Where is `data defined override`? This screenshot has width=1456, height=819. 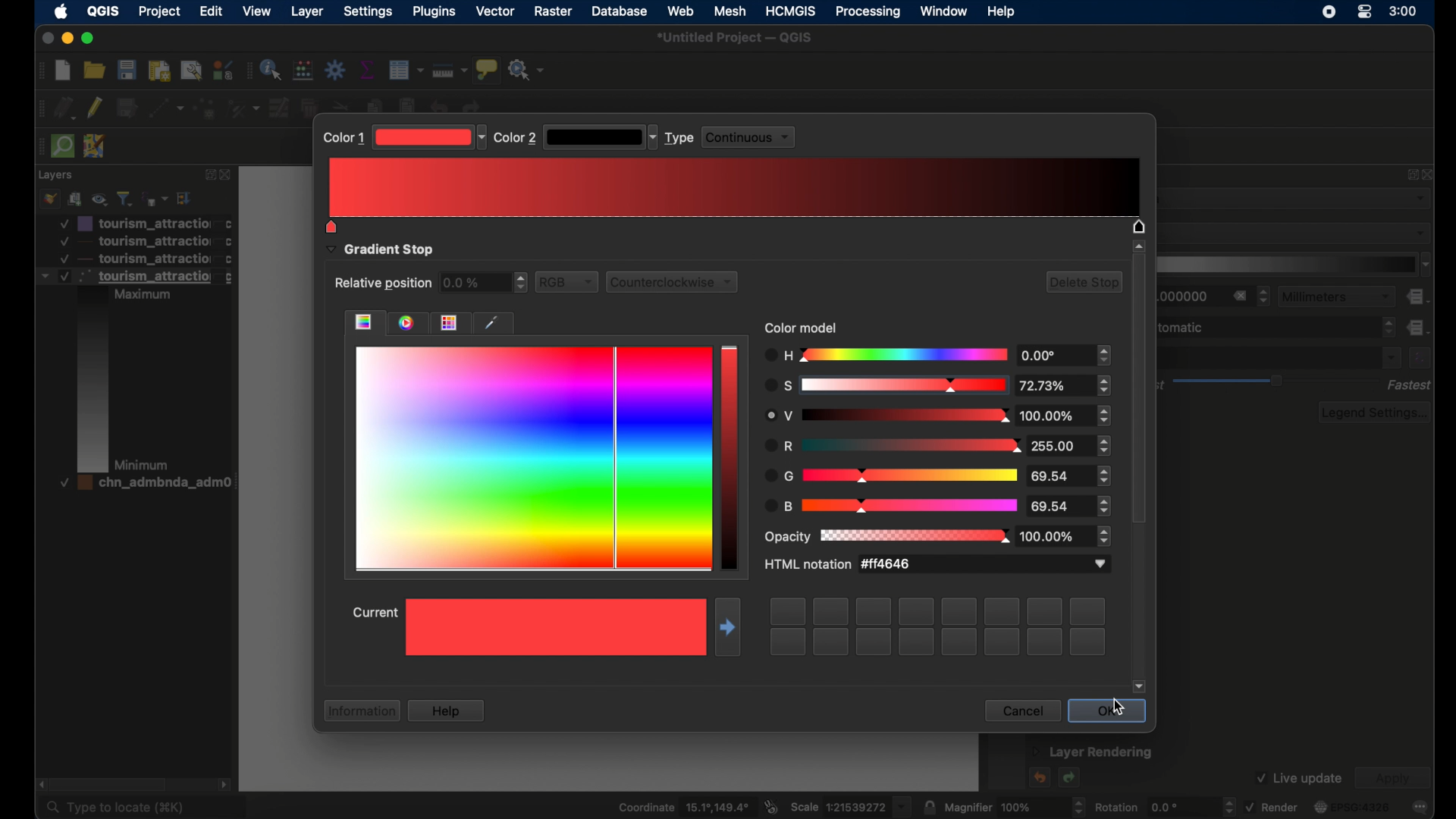
data defined override is located at coordinates (1419, 327).